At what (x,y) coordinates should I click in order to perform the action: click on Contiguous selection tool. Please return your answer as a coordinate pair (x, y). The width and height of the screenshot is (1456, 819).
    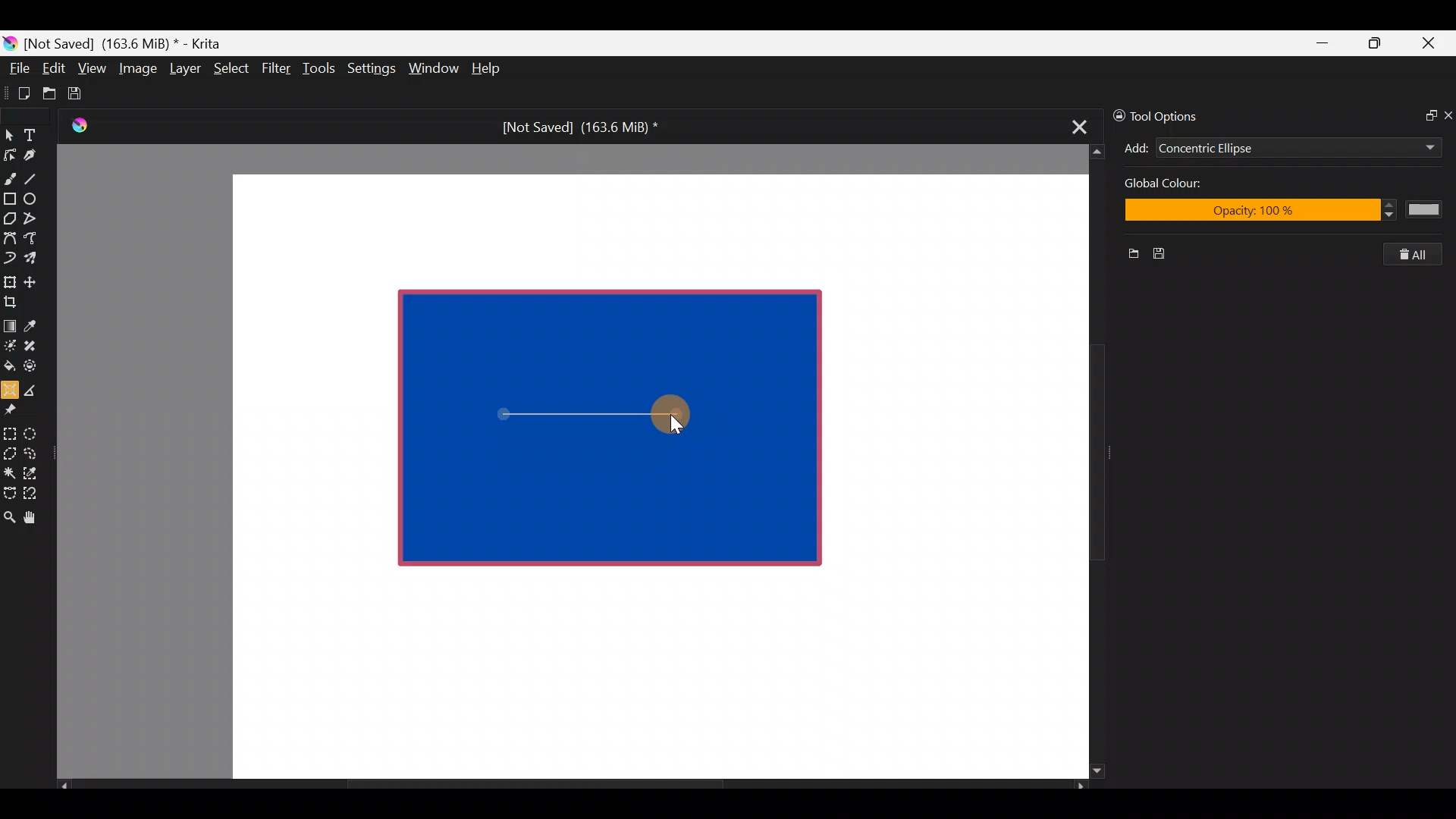
    Looking at the image, I should click on (9, 469).